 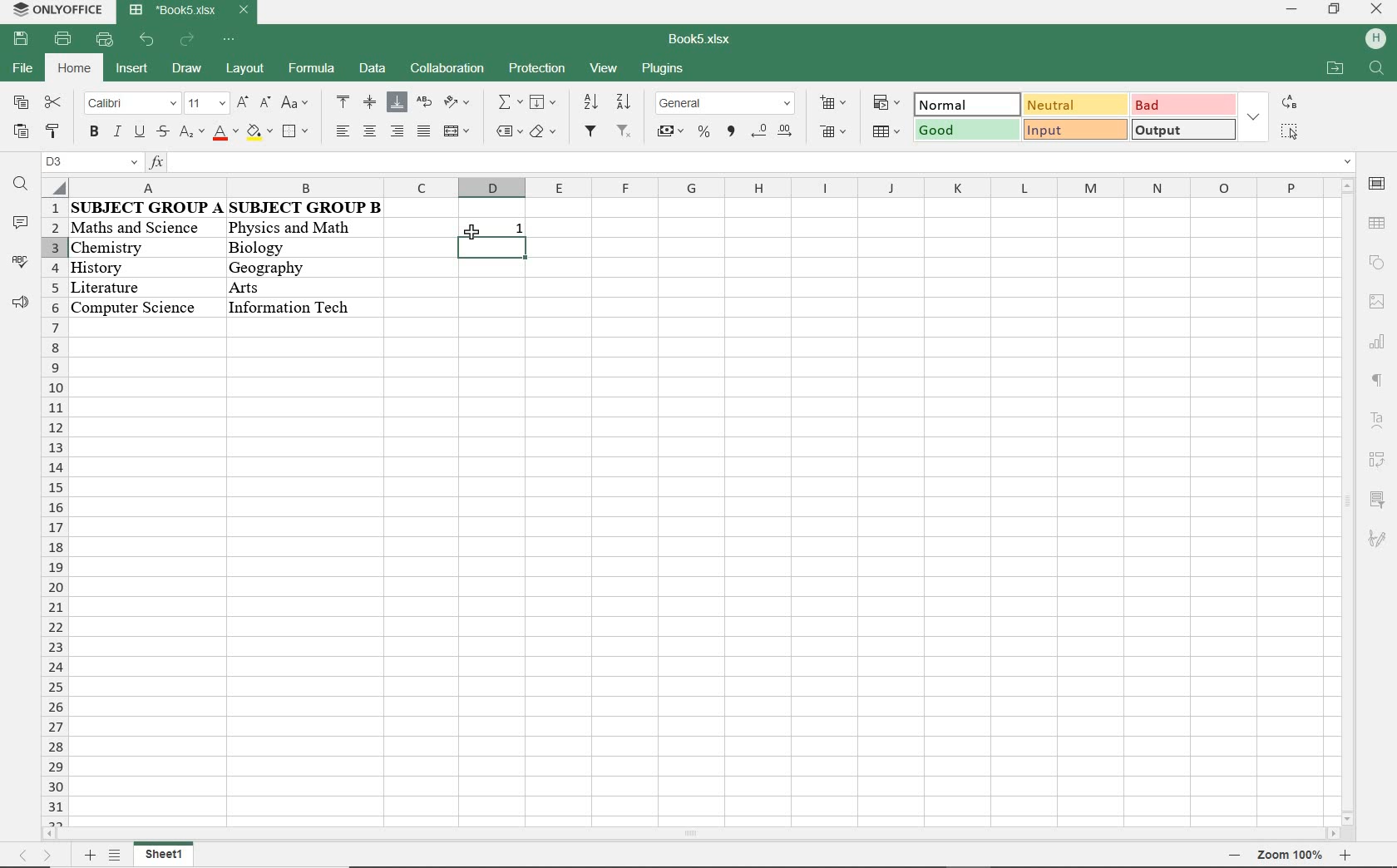 What do you see at coordinates (293, 307) in the screenshot?
I see `` at bounding box center [293, 307].